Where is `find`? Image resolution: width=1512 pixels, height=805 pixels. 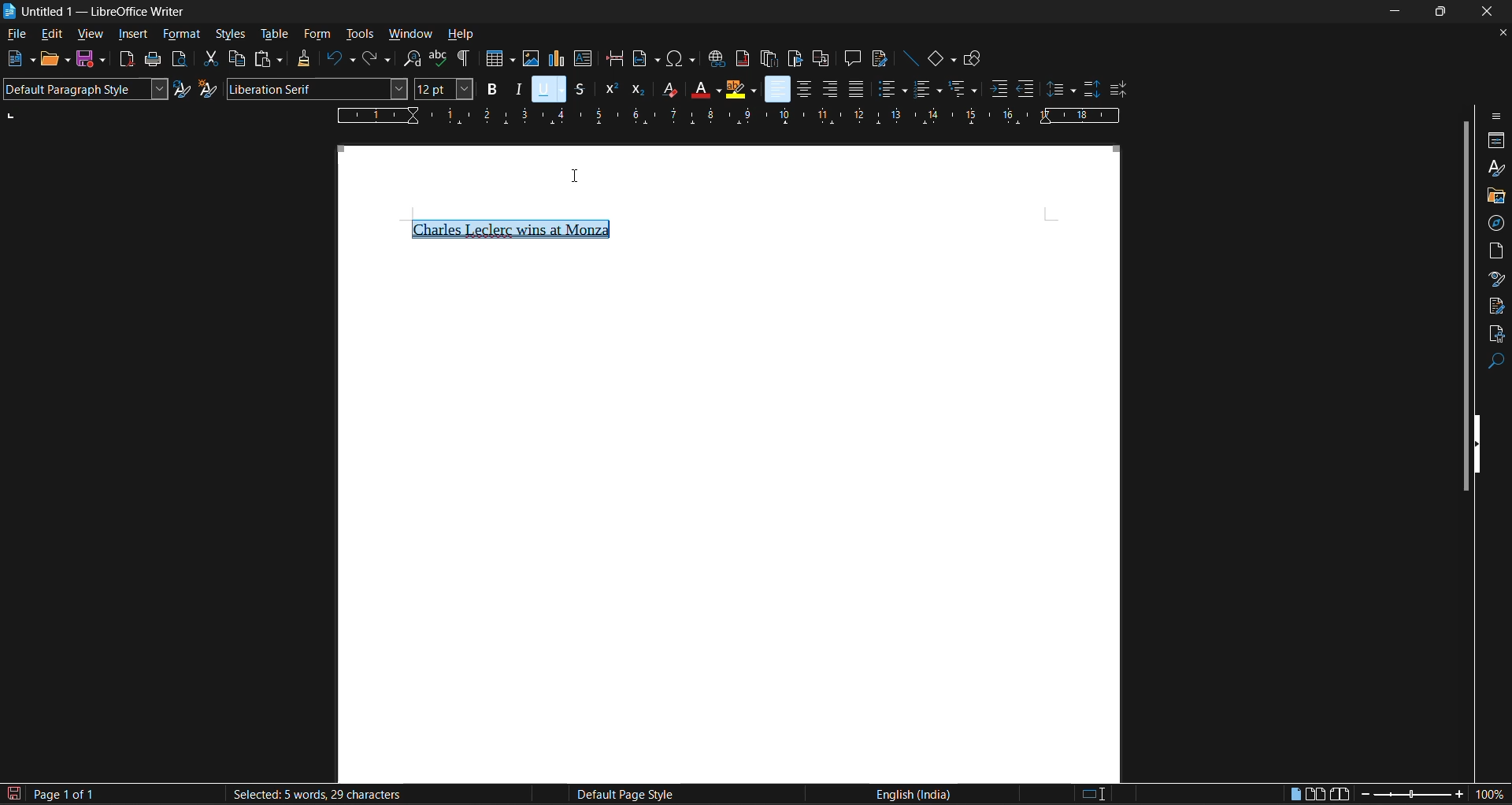
find is located at coordinates (1496, 362).